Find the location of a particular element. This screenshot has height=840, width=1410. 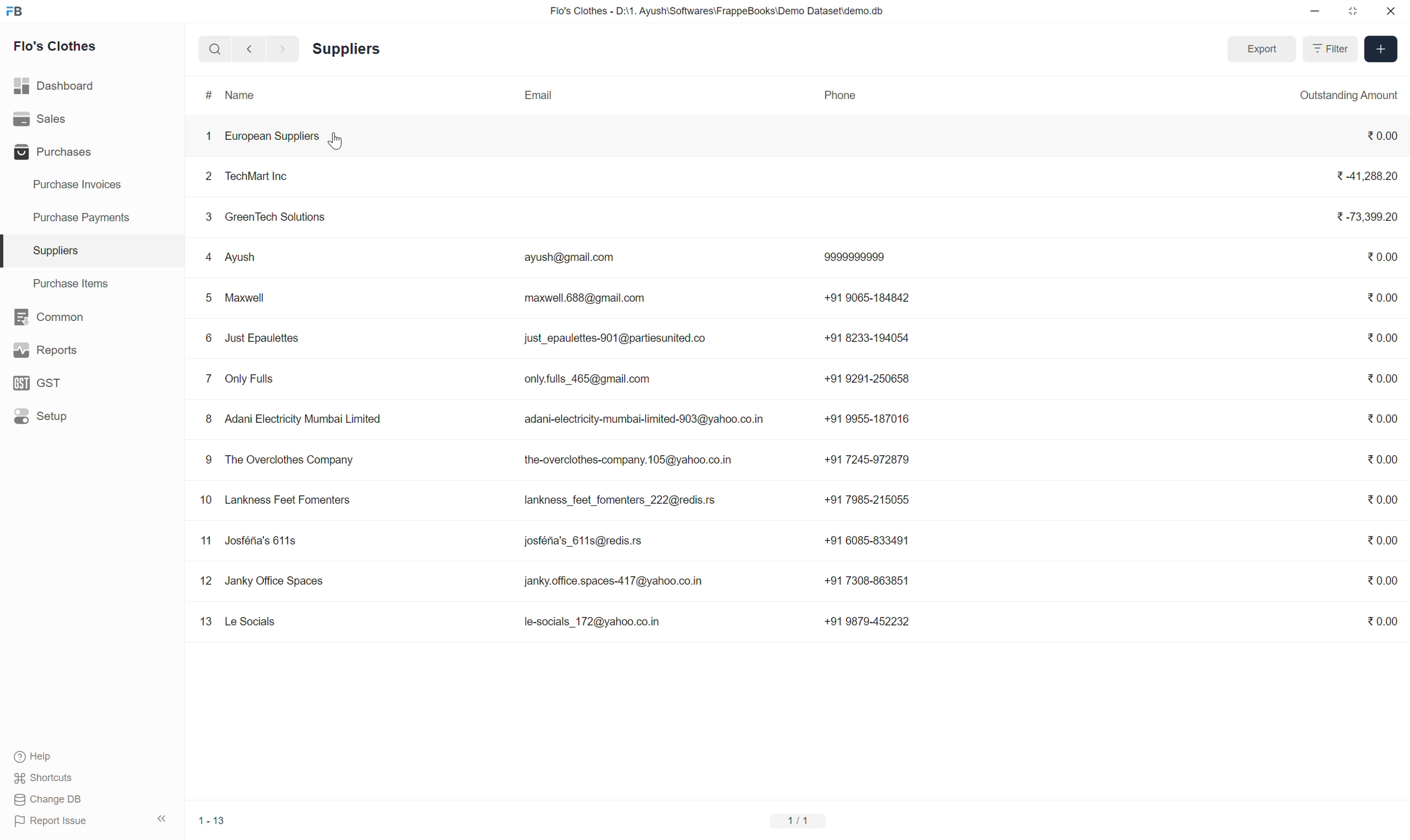

cursor is located at coordinates (337, 140).